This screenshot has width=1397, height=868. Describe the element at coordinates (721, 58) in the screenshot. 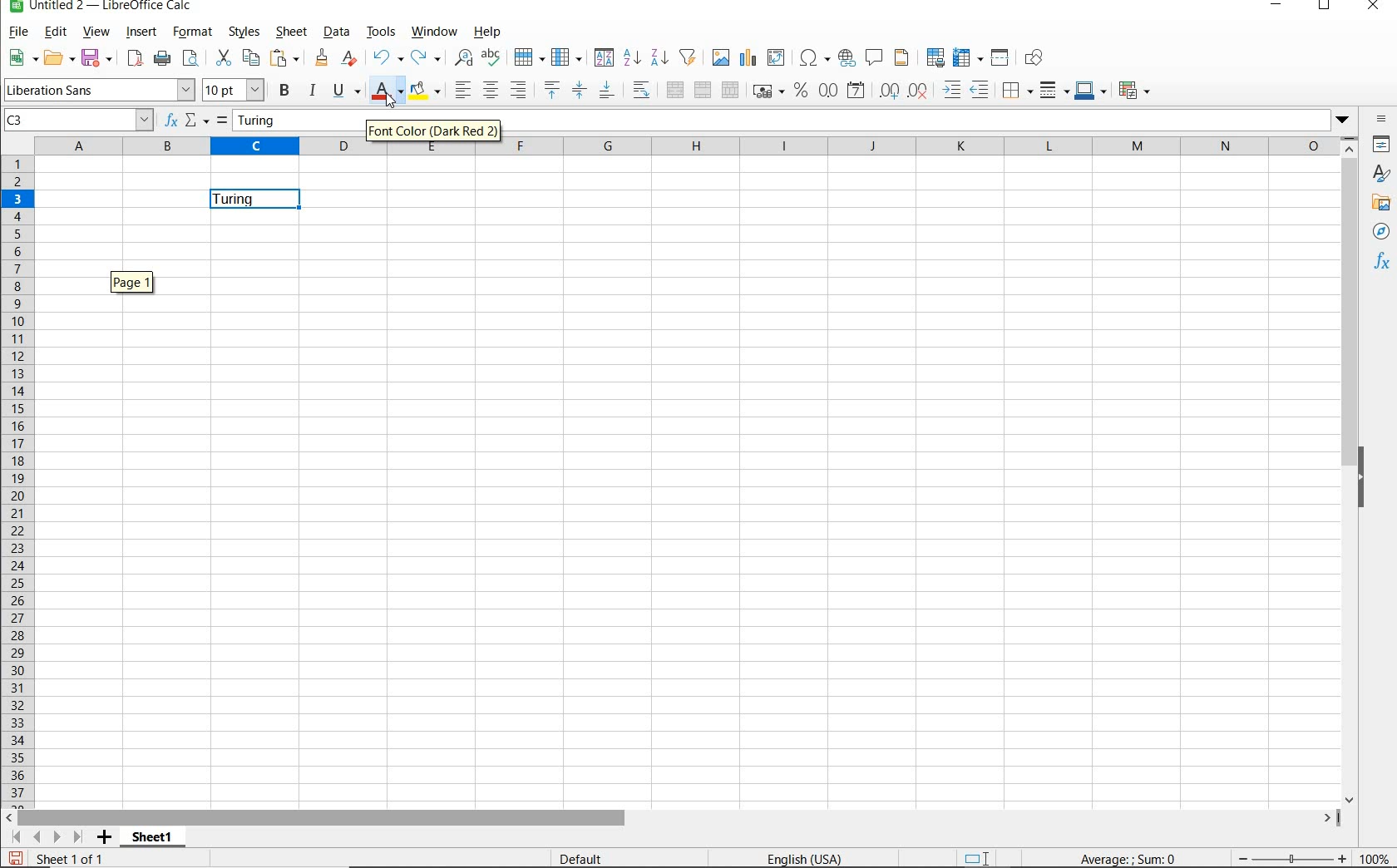

I see `INSERT IMAGE` at that location.